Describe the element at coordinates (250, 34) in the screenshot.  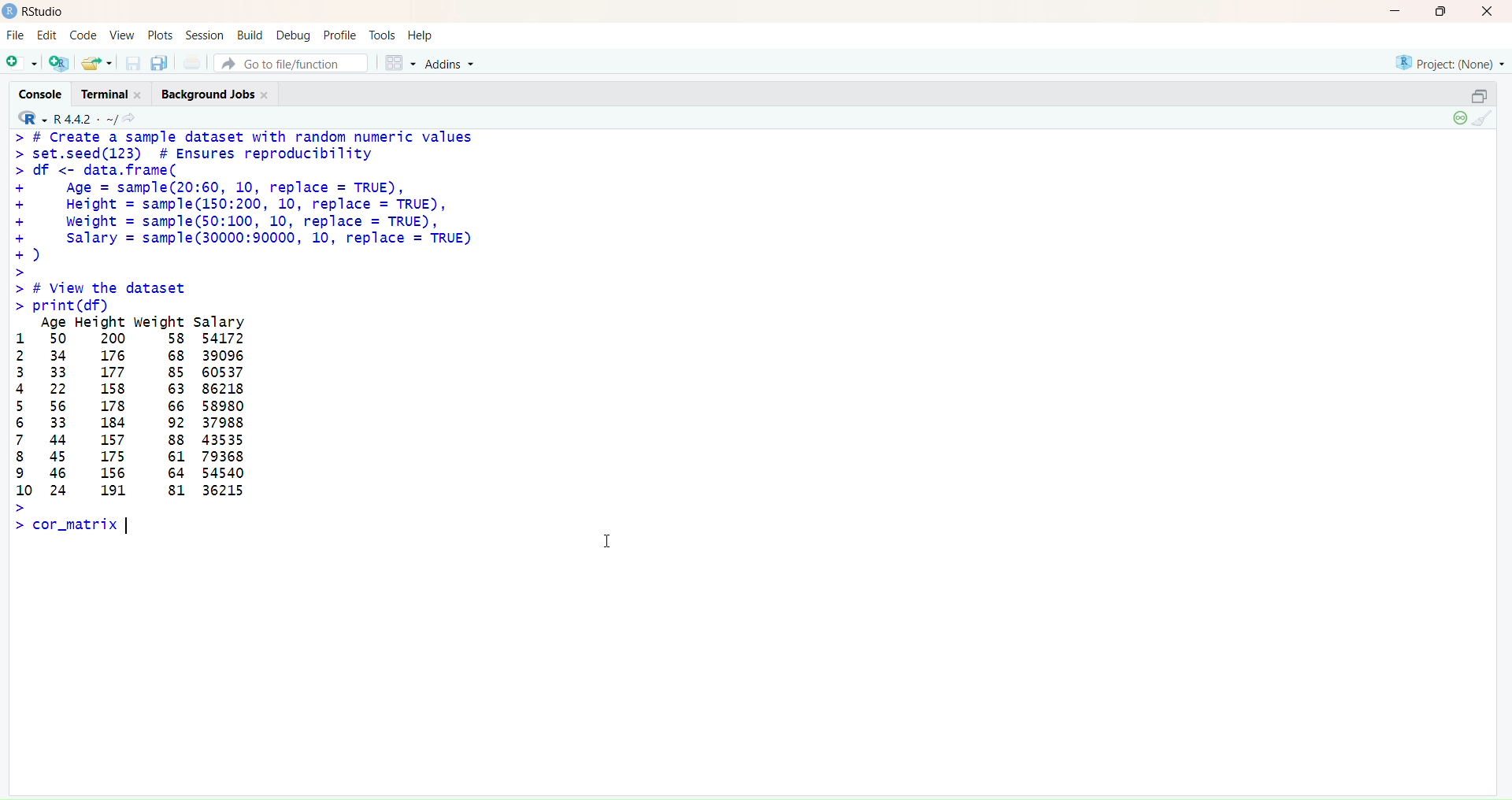
I see `Build` at that location.